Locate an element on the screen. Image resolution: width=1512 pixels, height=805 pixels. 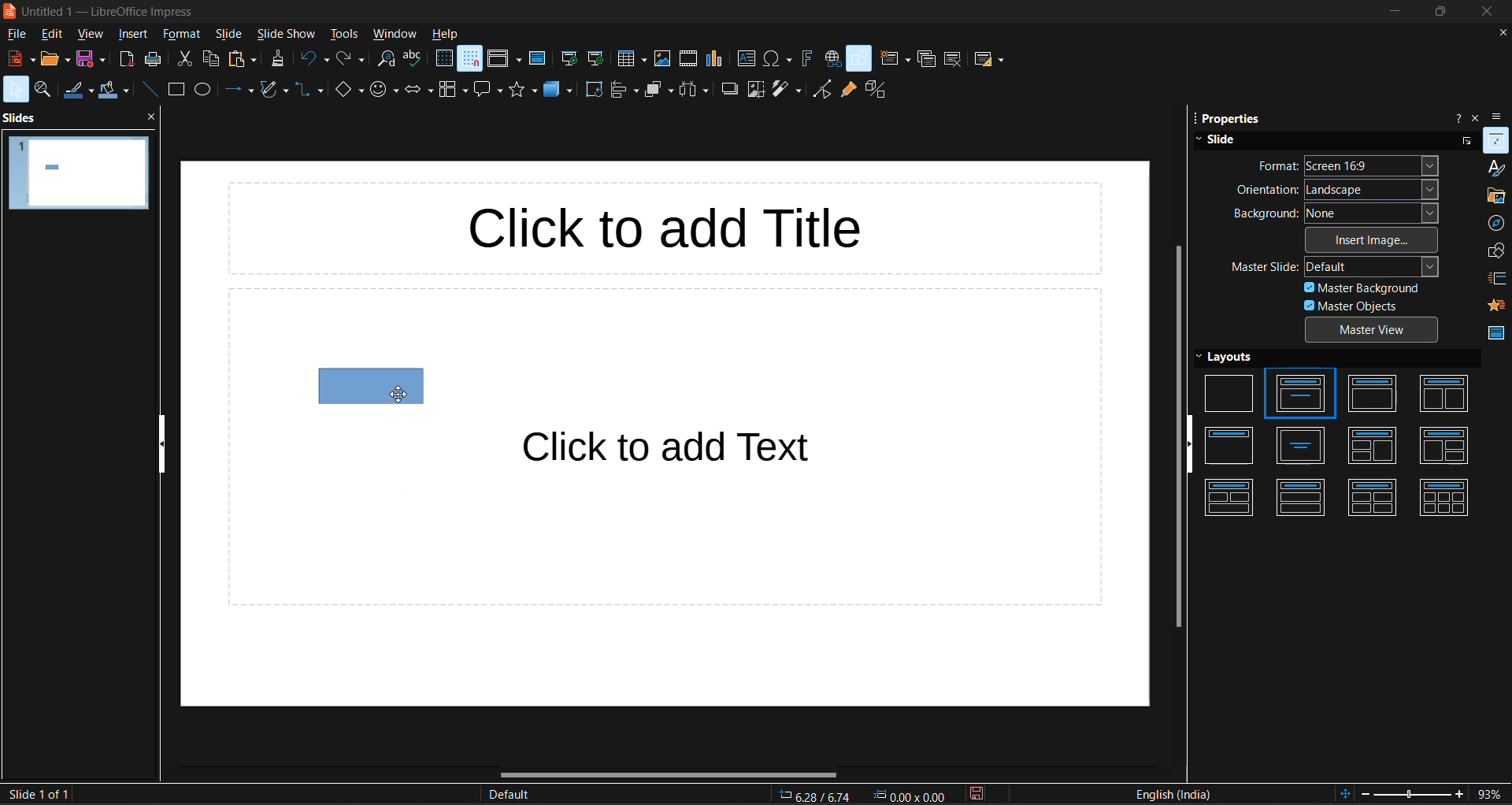
blank slide is located at coordinates (1228, 393).